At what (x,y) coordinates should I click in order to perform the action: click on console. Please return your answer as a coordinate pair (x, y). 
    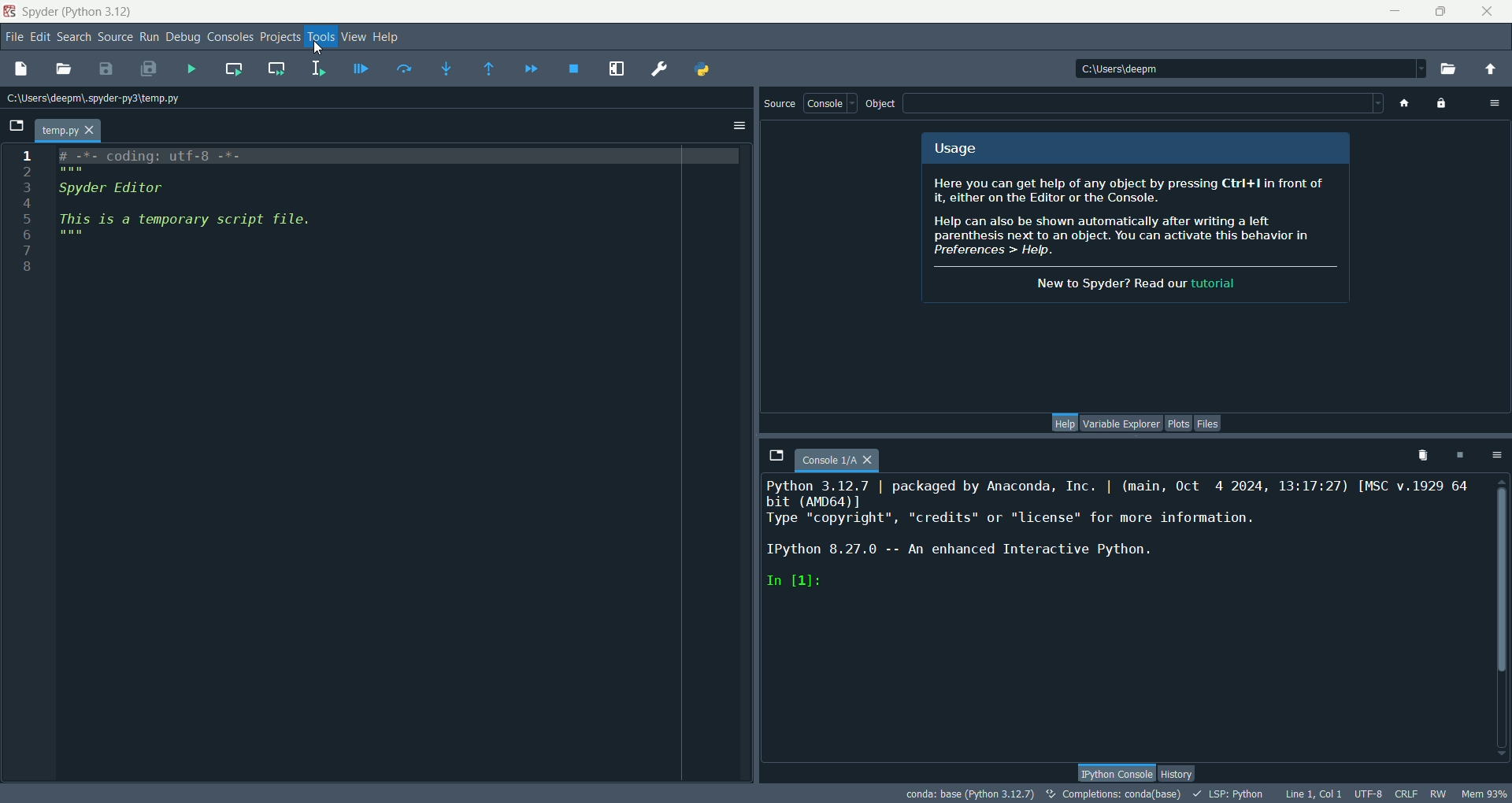
    Looking at the image, I should click on (843, 457).